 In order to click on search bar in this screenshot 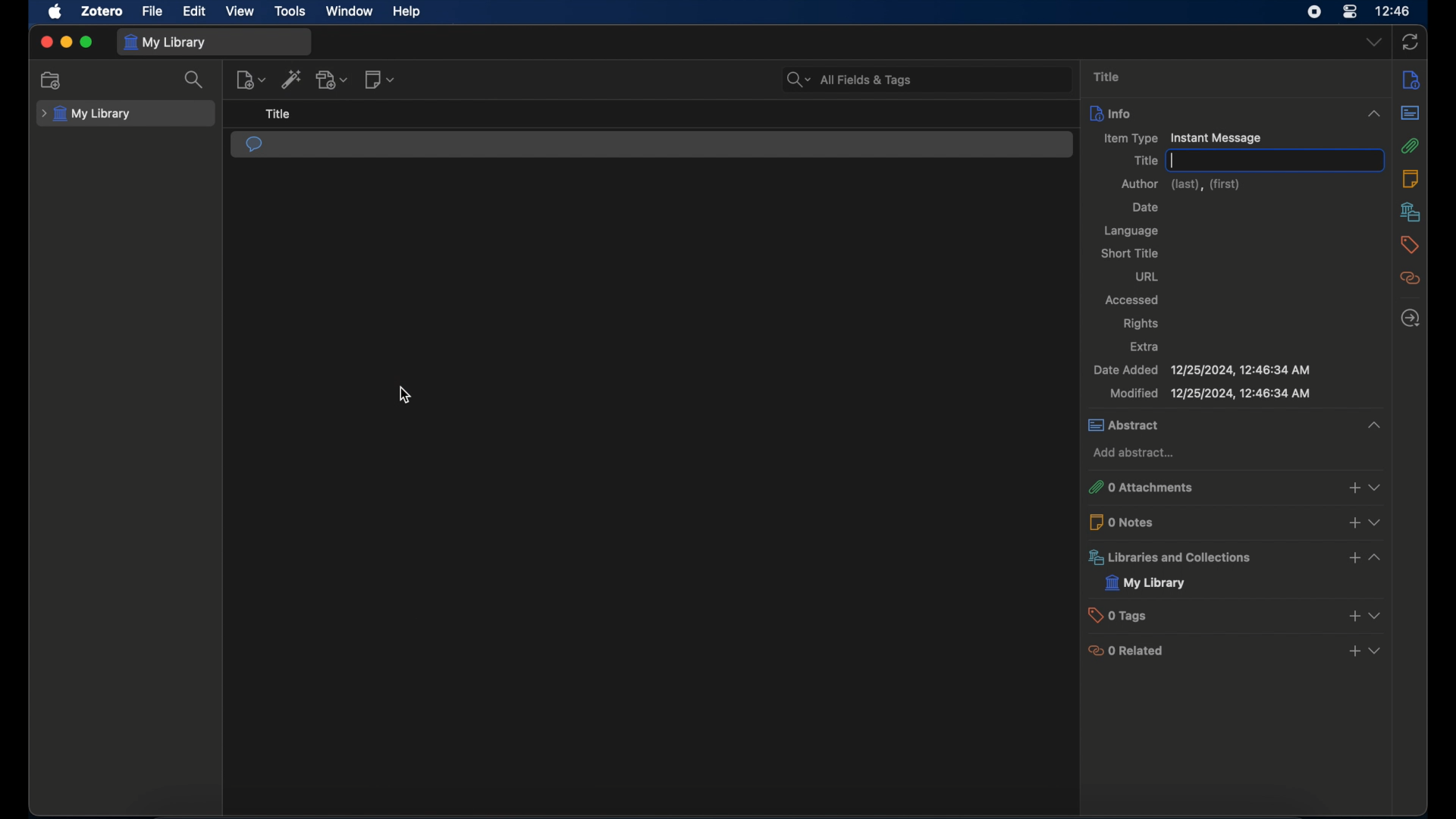, I will do `click(849, 78)`.